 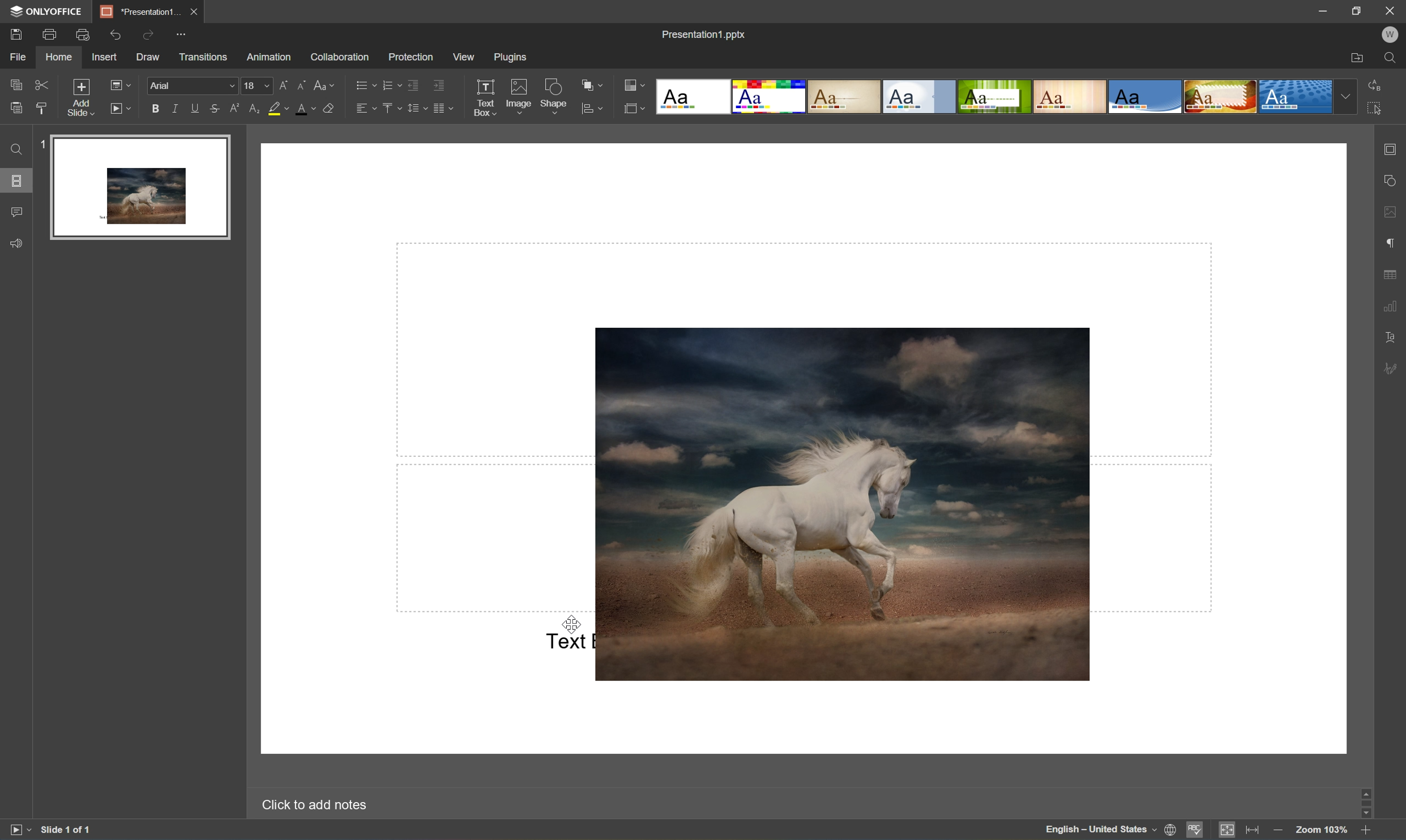 I want to click on Add slide, so click(x=84, y=100).